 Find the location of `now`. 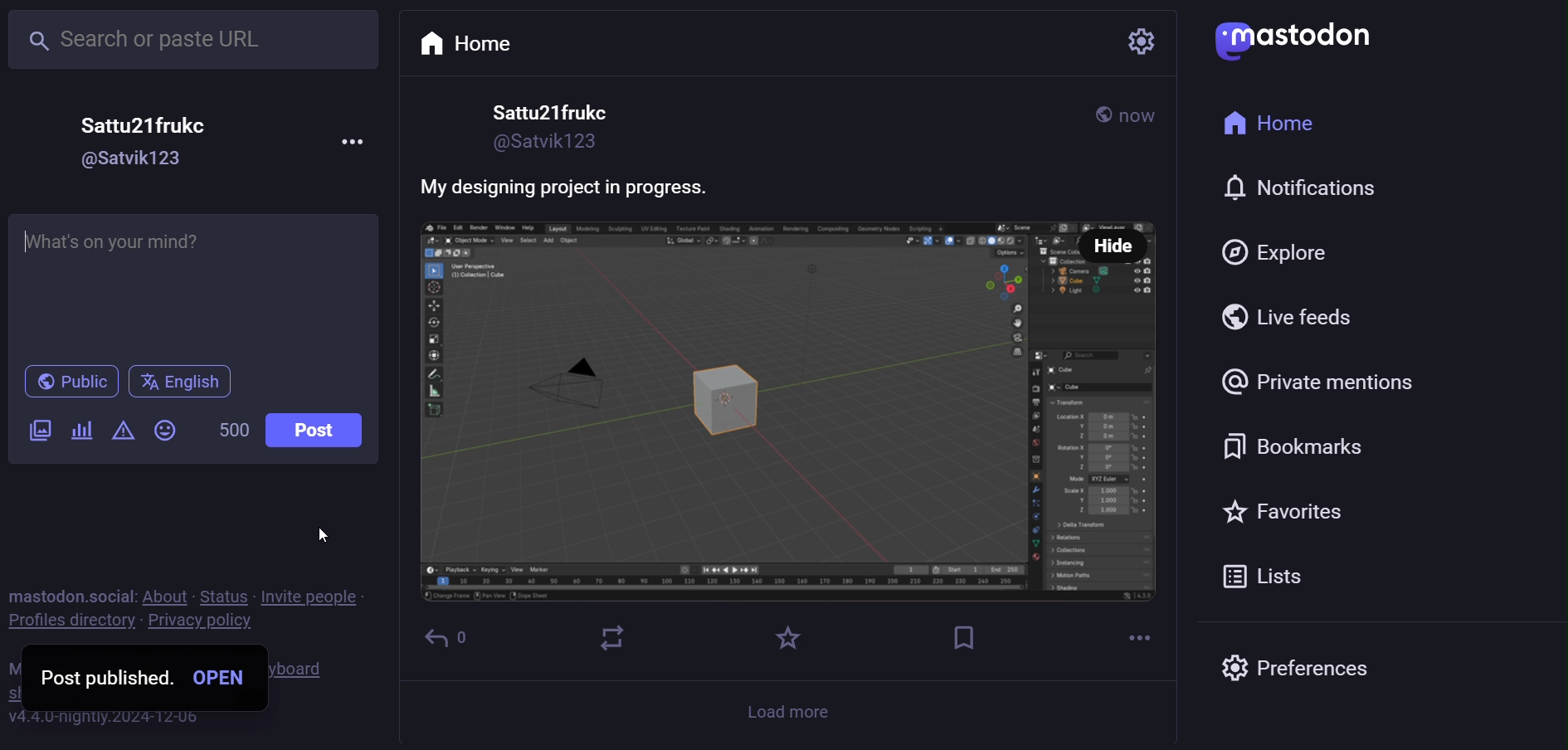

now is located at coordinates (1146, 117).